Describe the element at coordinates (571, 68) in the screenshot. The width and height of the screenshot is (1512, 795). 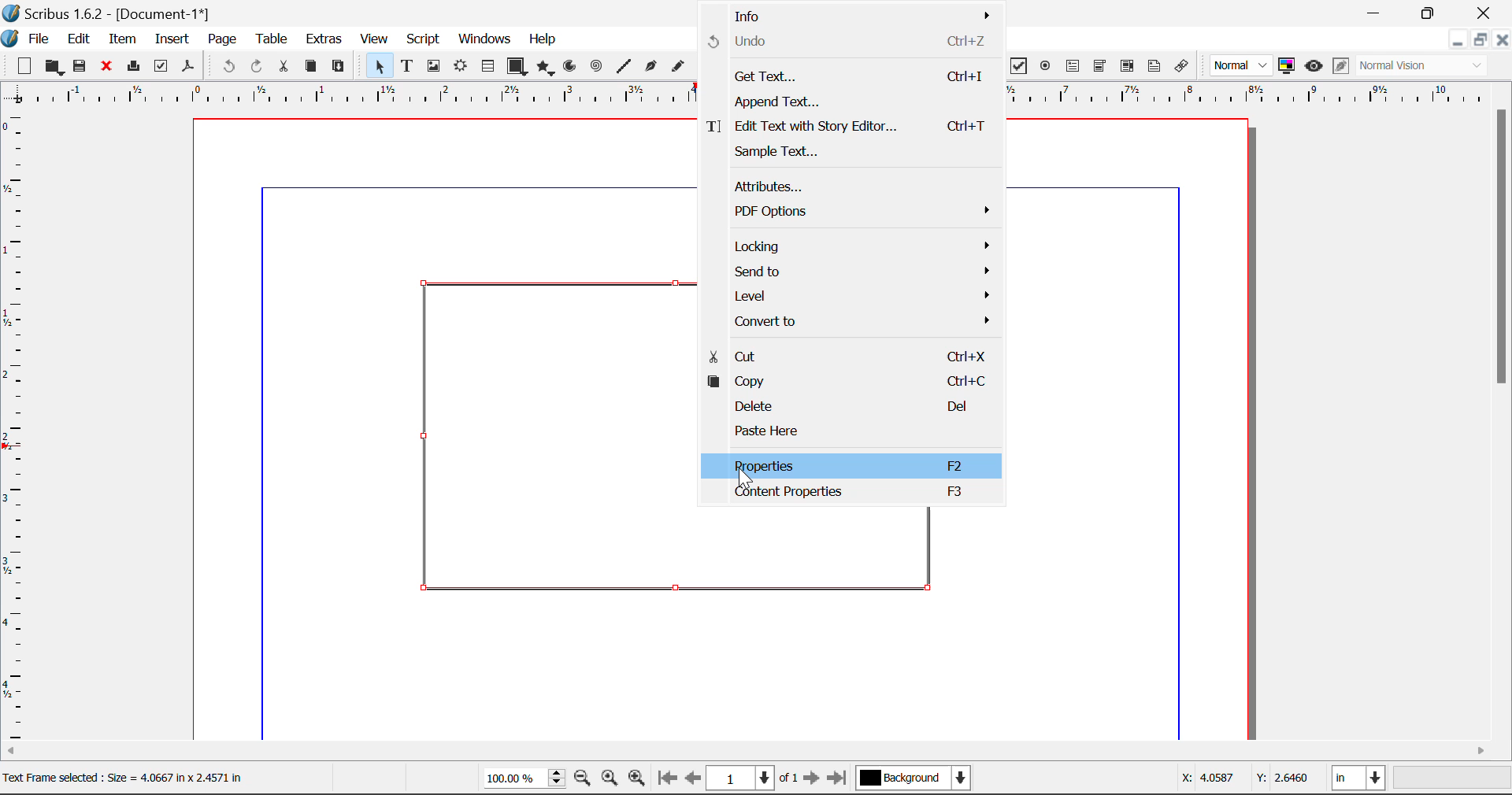
I see `Arc` at that location.